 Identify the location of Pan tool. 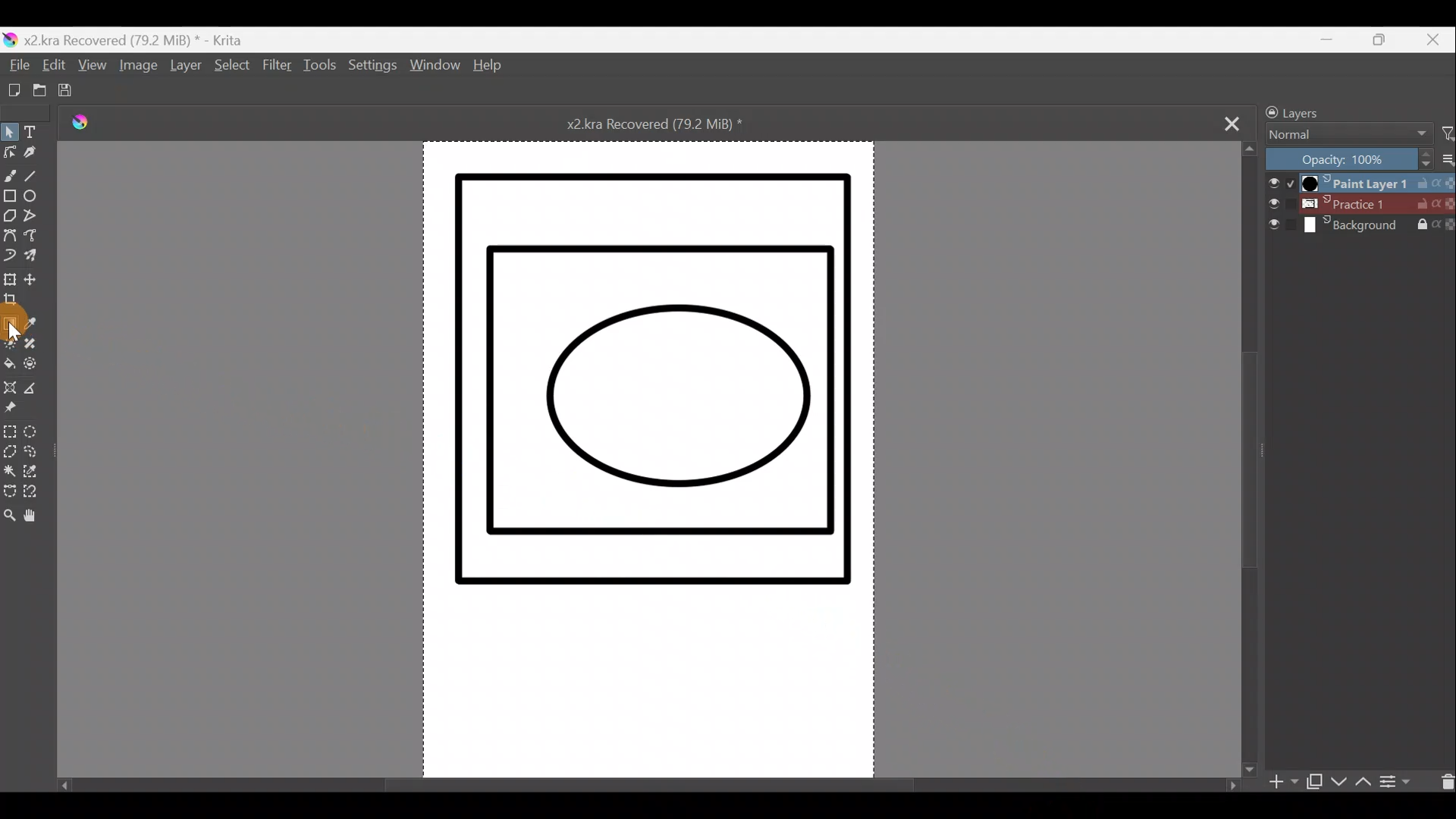
(35, 519).